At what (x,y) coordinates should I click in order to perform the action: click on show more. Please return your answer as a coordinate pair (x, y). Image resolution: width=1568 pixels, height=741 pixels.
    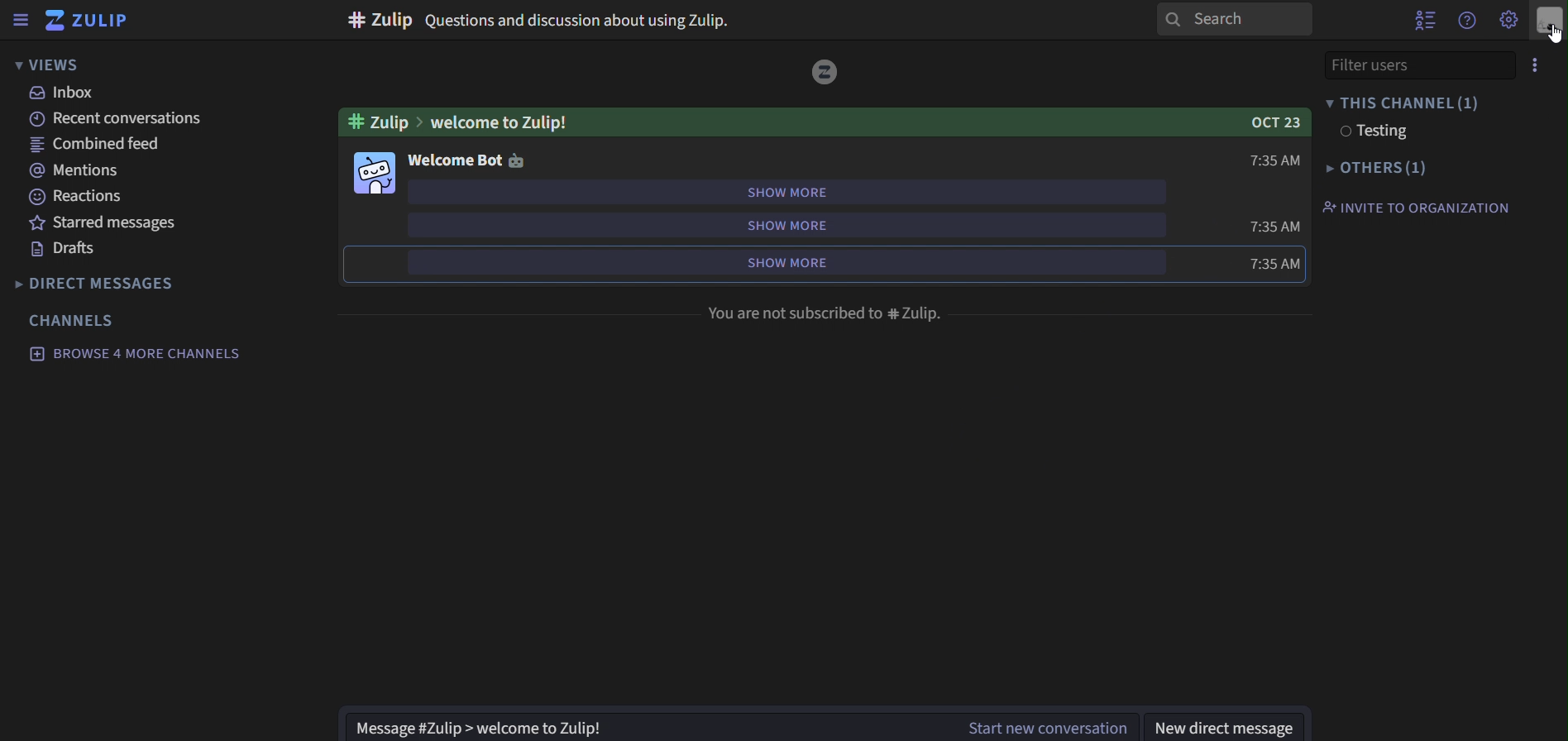
    Looking at the image, I should click on (785, 222).